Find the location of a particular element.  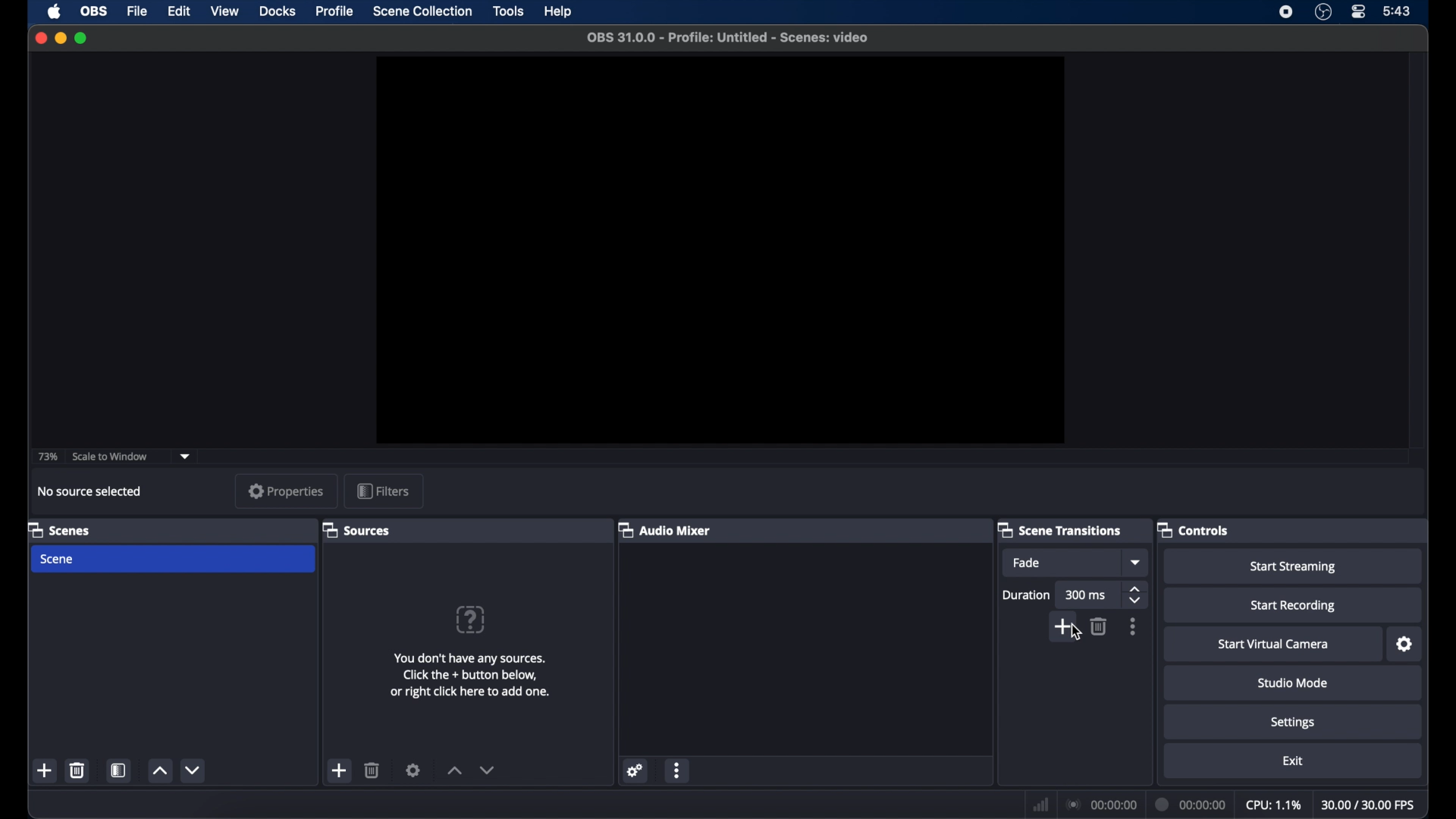

scene transitions is located at coordinates (1059, 530).